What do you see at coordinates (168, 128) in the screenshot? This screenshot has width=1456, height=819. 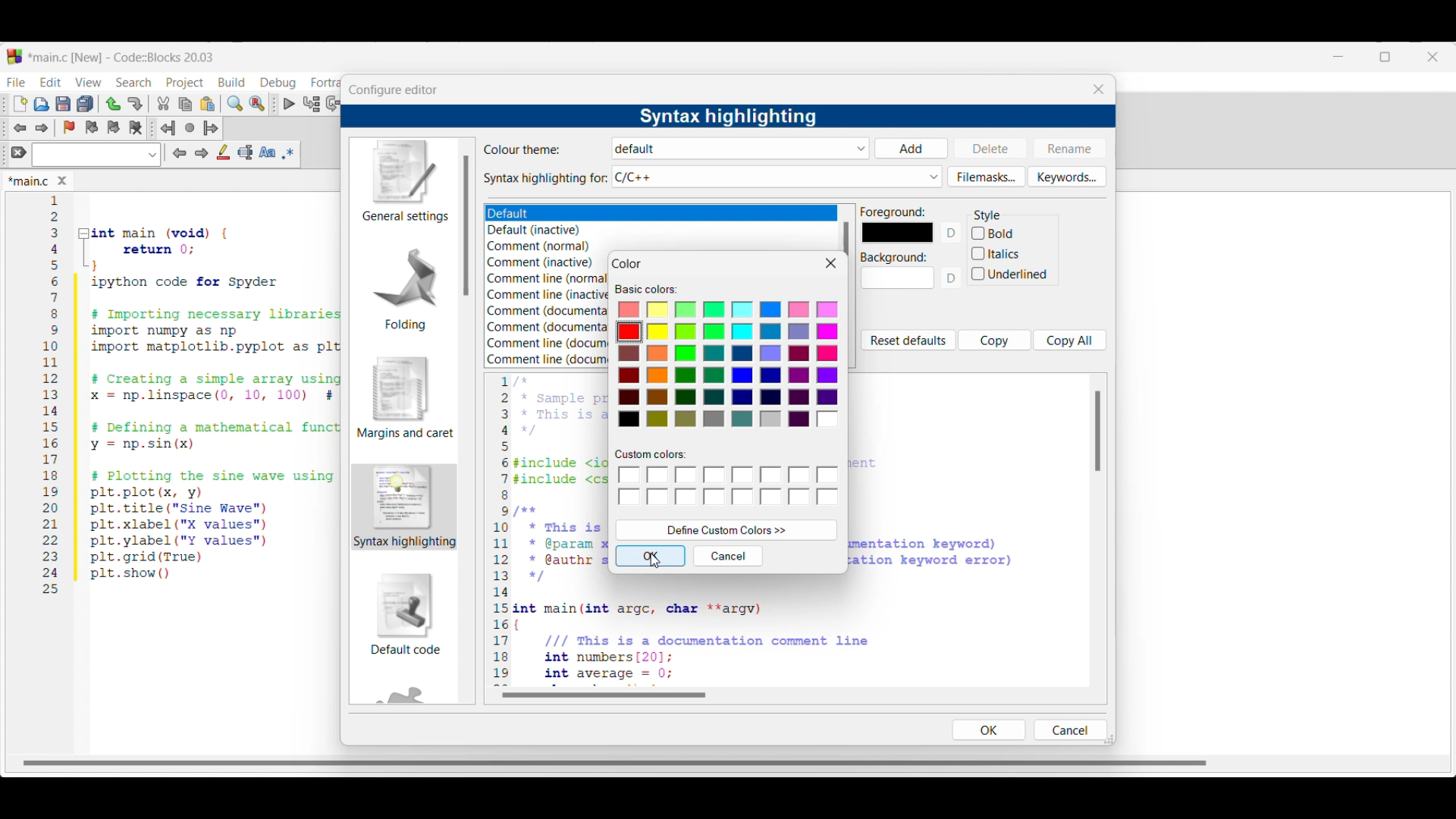 I see `Jump back` at bounding box center [168, 128].